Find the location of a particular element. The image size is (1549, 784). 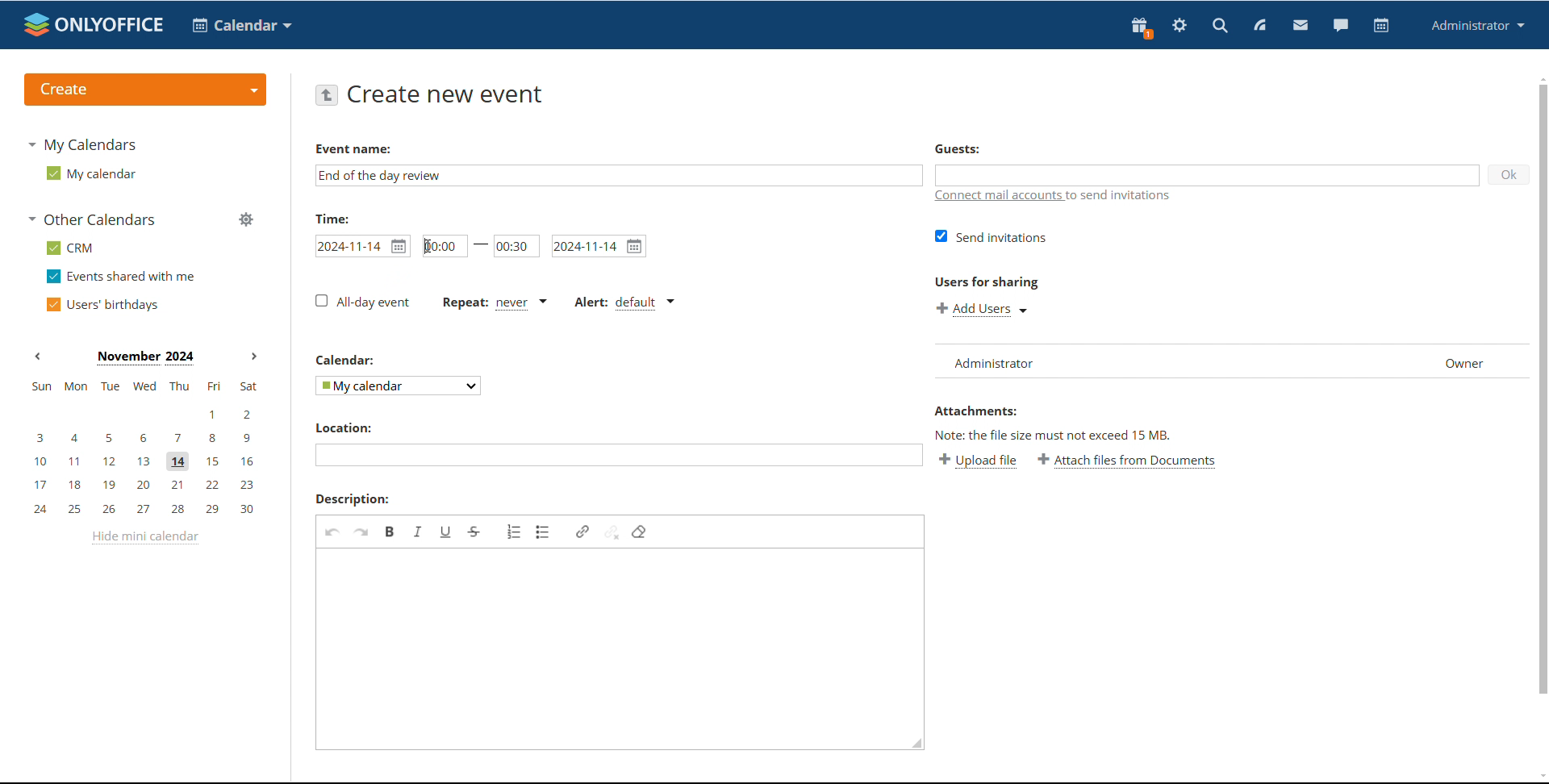

list of users is located at coordinates (1231, 361).